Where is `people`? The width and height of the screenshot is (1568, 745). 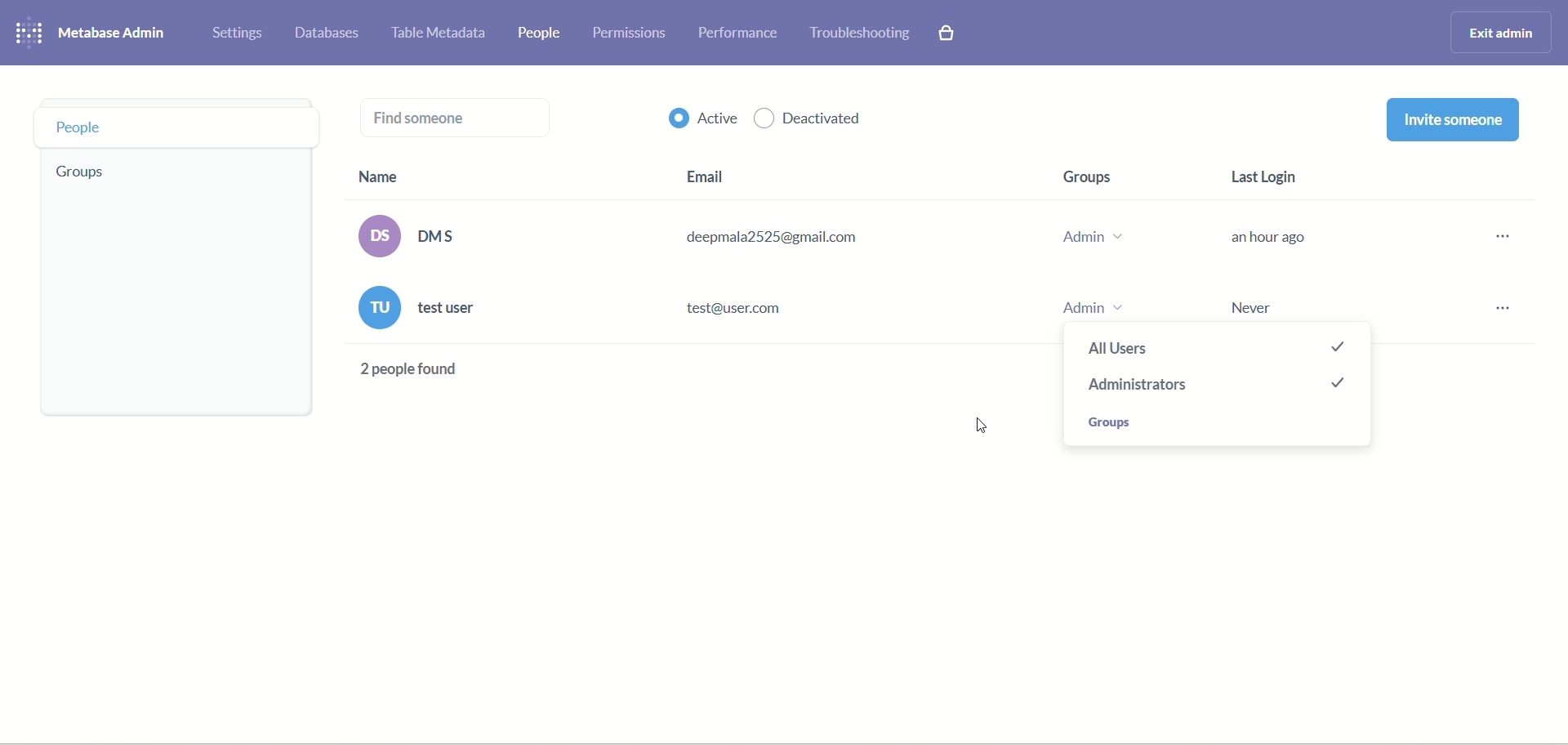
people is located at coordinates (178, 127).